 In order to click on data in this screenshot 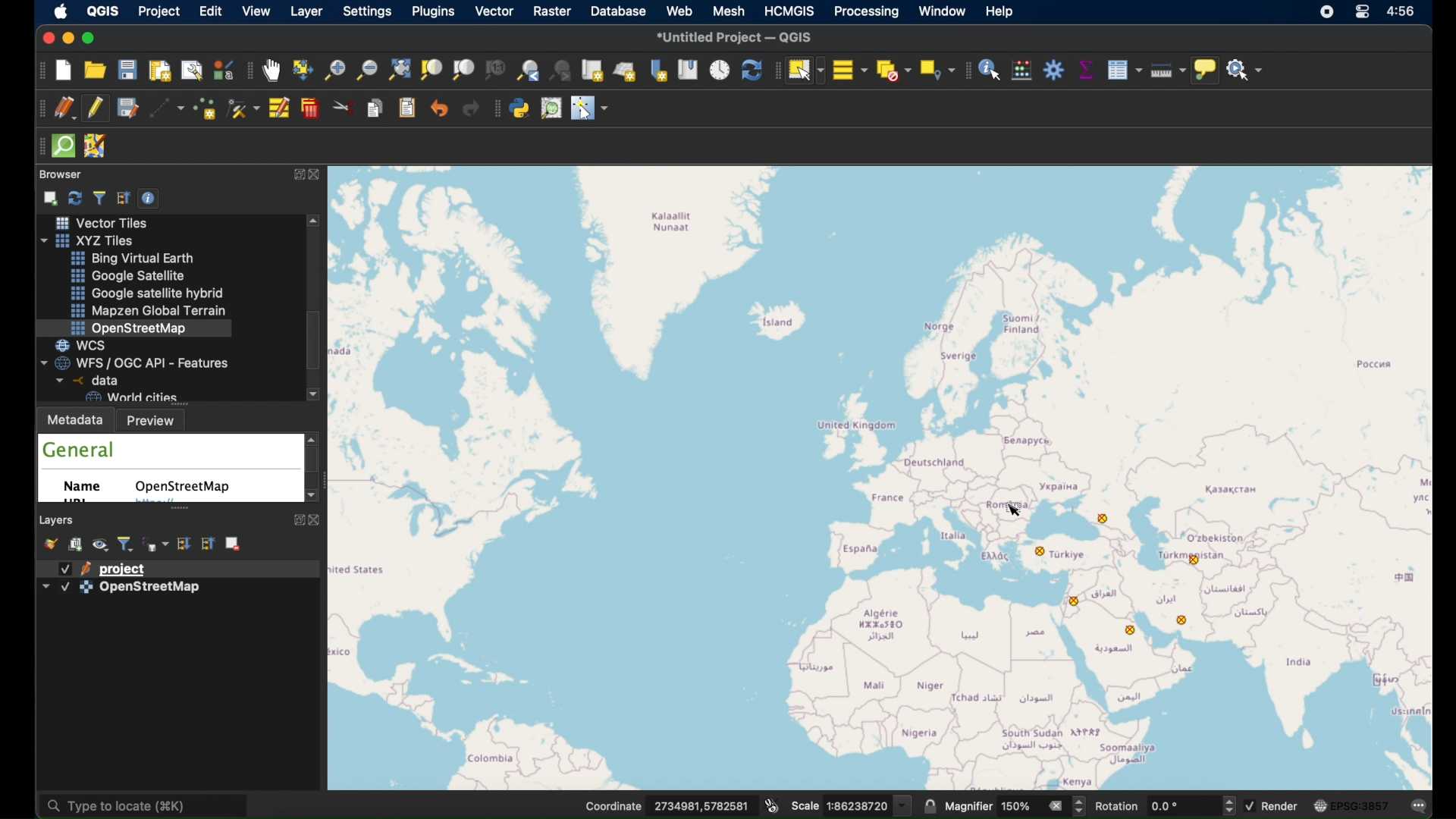, I will do `click(84, 380)`.